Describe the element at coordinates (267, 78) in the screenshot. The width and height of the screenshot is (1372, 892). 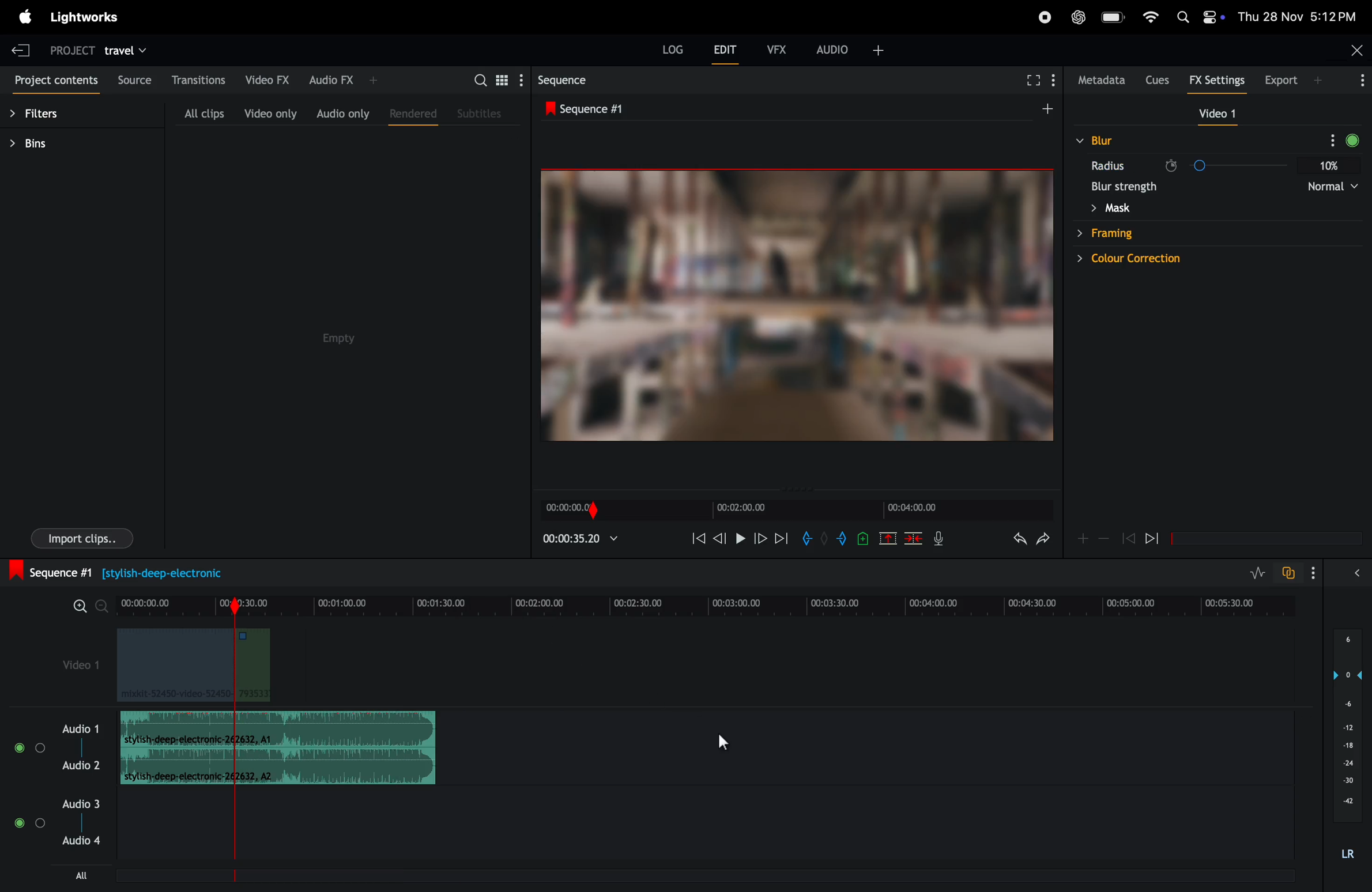
I see `video fx` at that location.